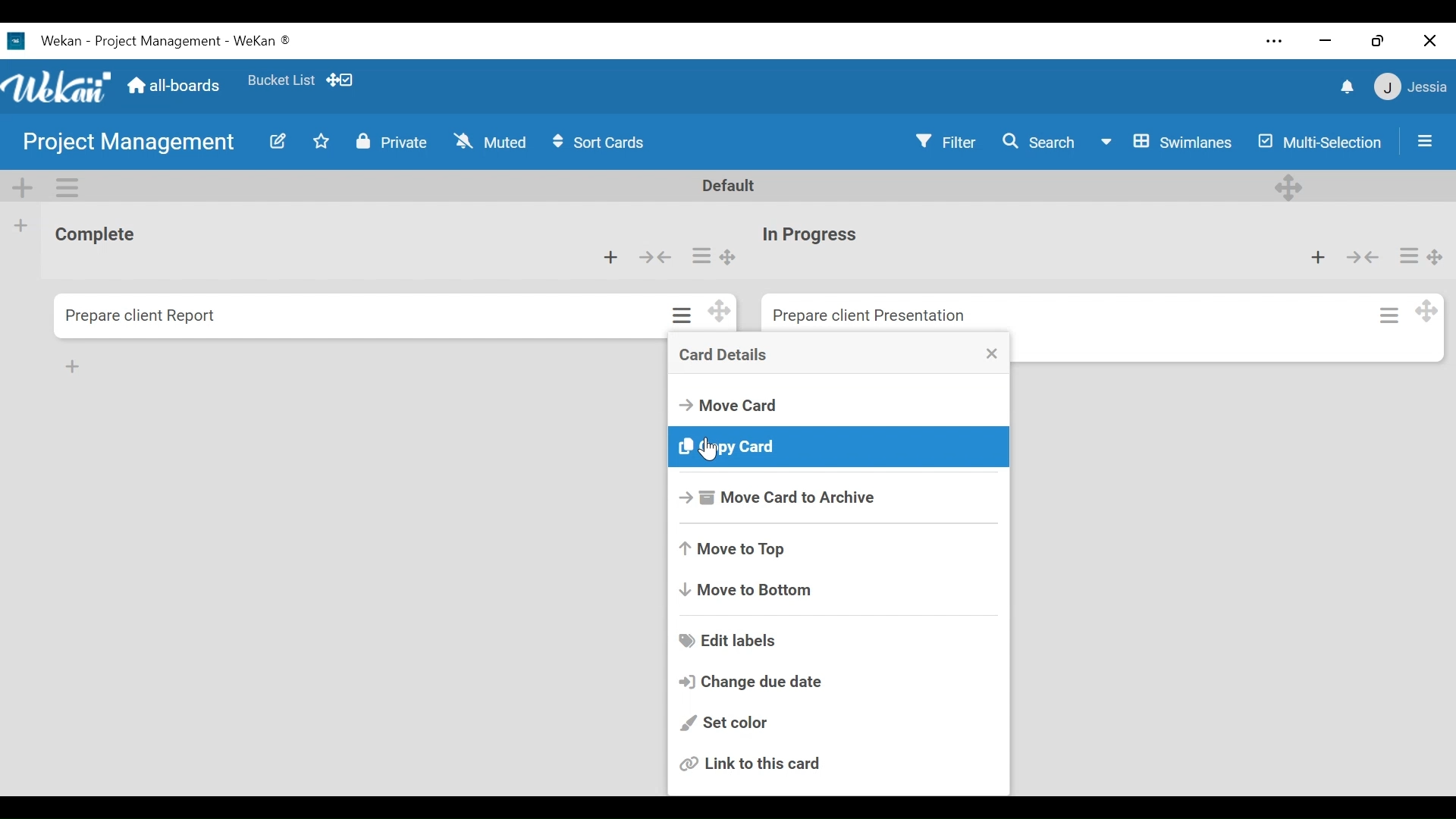 The height and width of the screenshot is (819, 1456). What do you see at coordinates (1289, 187) in the screenshot?
I see `Deesktop drag handle` at bounding box center [1289, 187].